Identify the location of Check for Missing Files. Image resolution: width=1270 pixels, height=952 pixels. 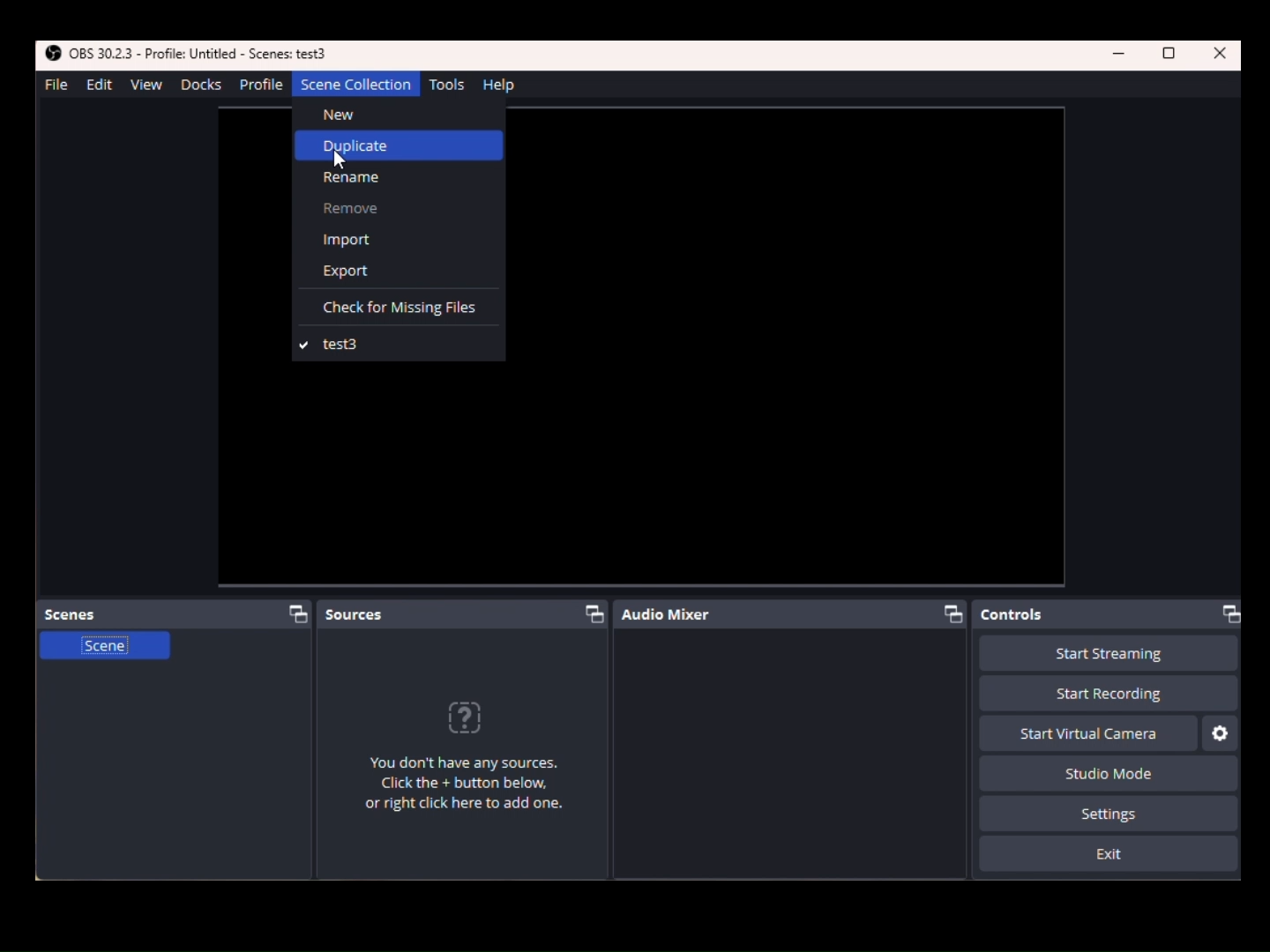
(399, 308).